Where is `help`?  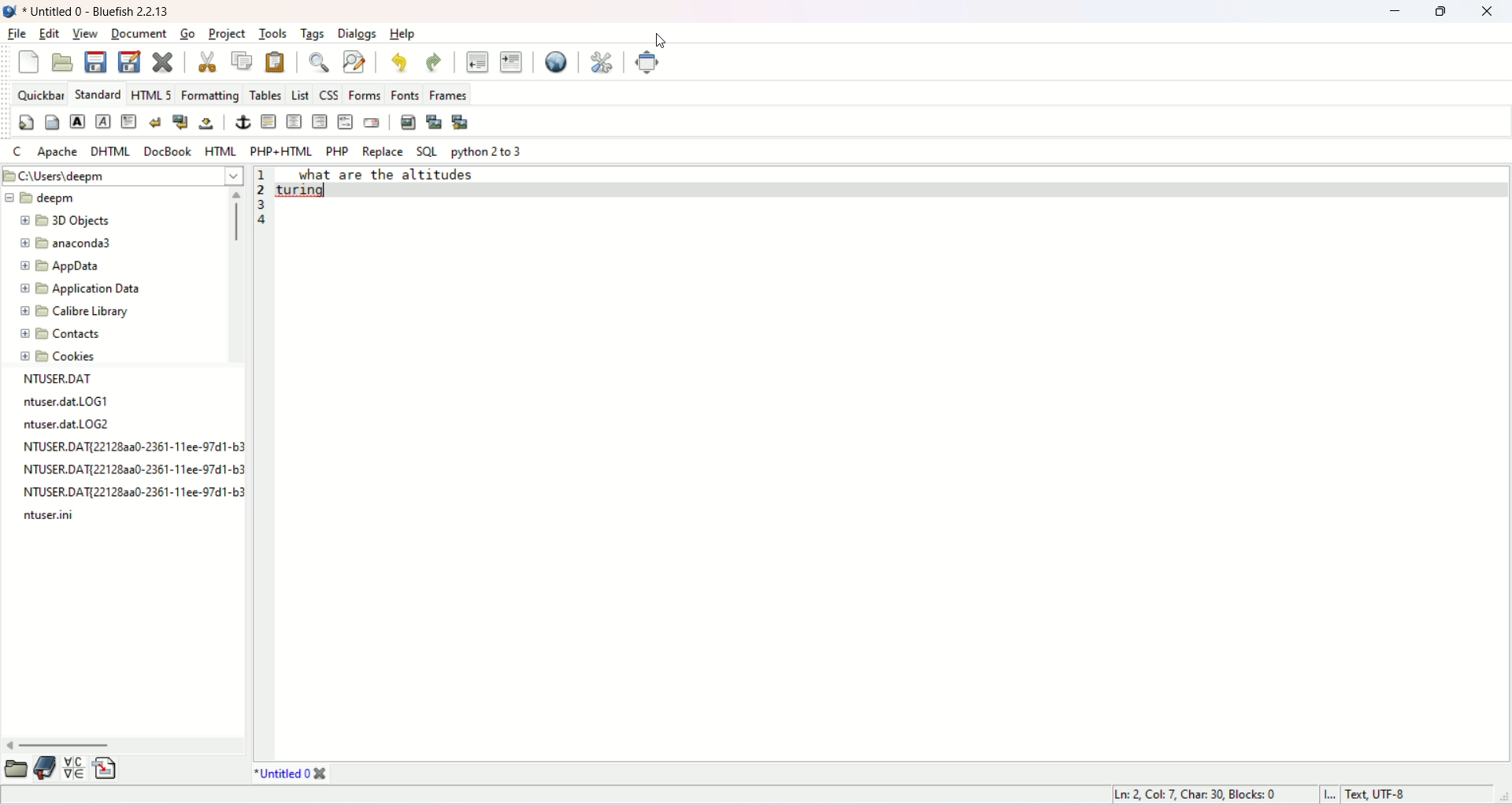 help is located at coordinates (403, 34).